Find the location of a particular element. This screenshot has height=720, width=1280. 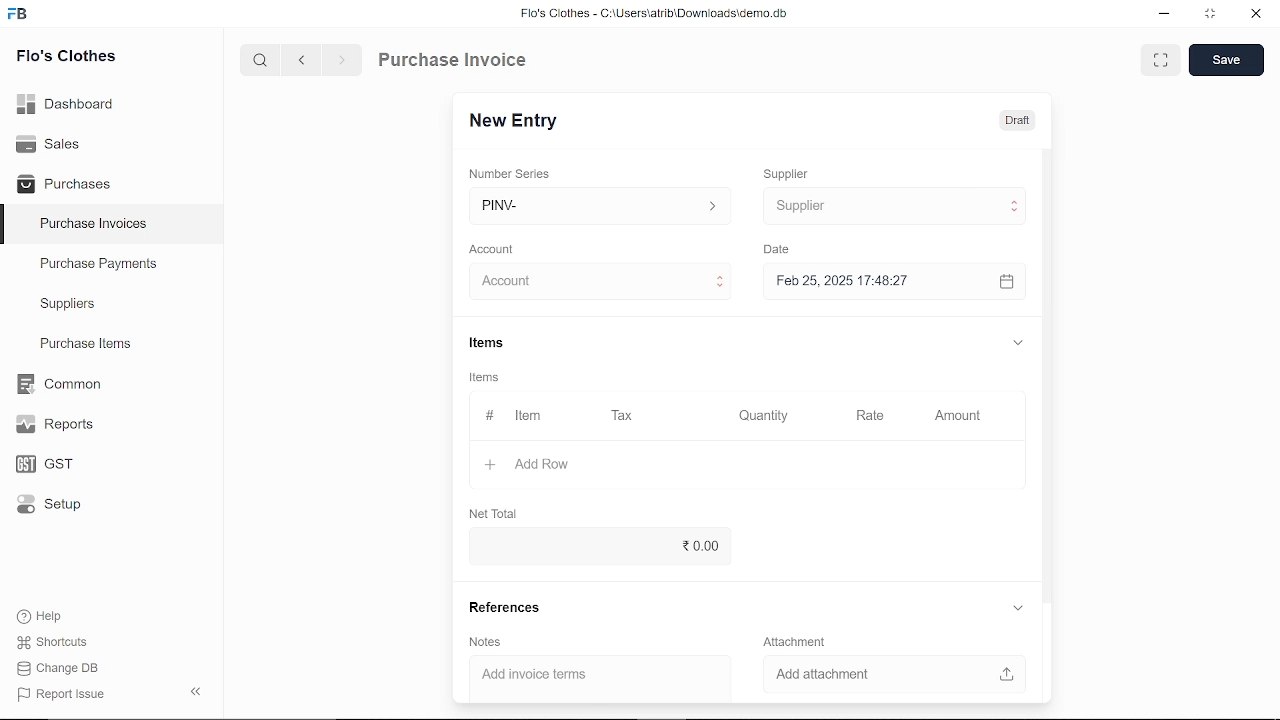

serach is located at coordinates (258, 61).